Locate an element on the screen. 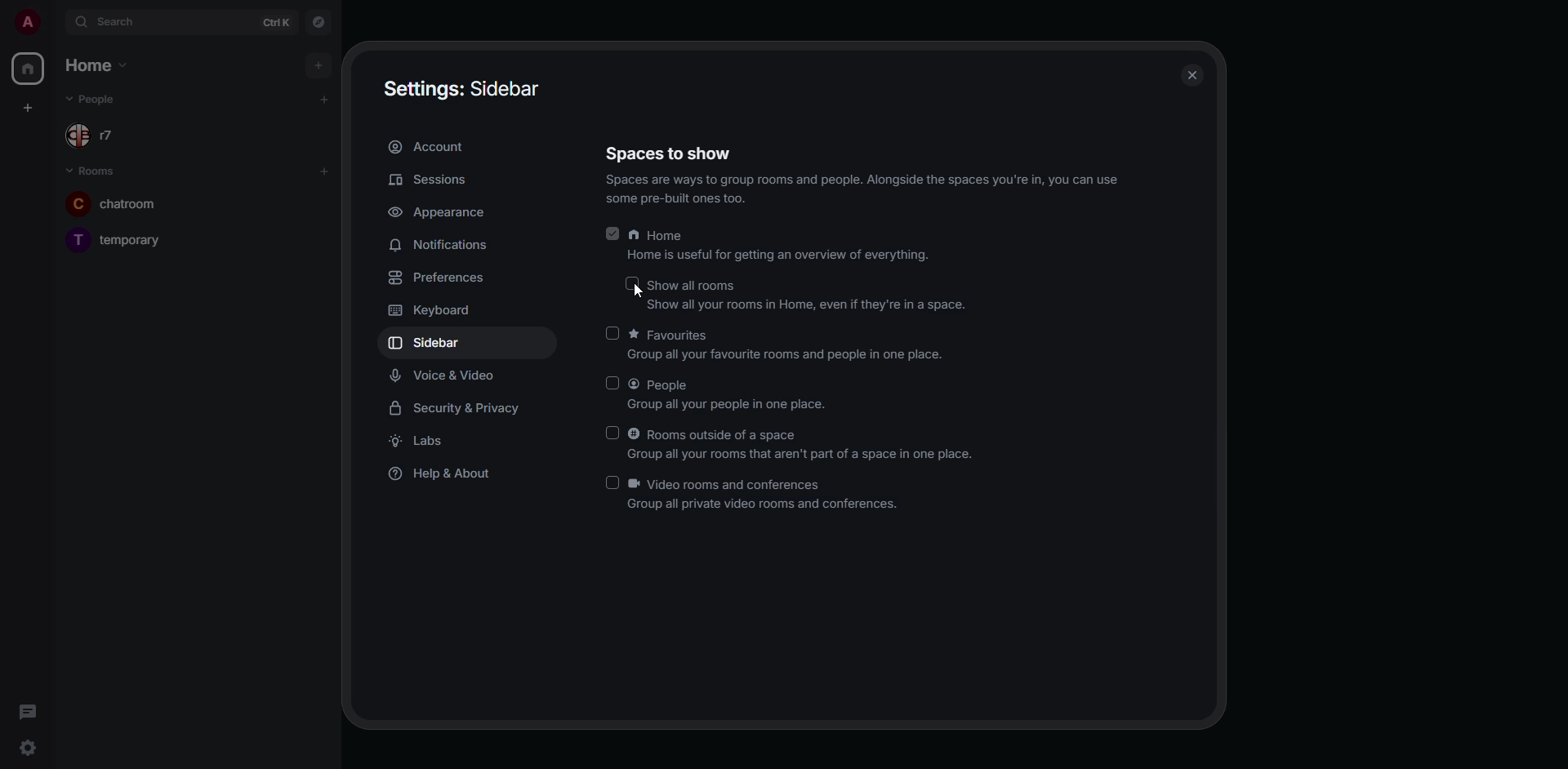 This screenshot has width=1568, height=769. click to enable is located at coordinates (609, 434).